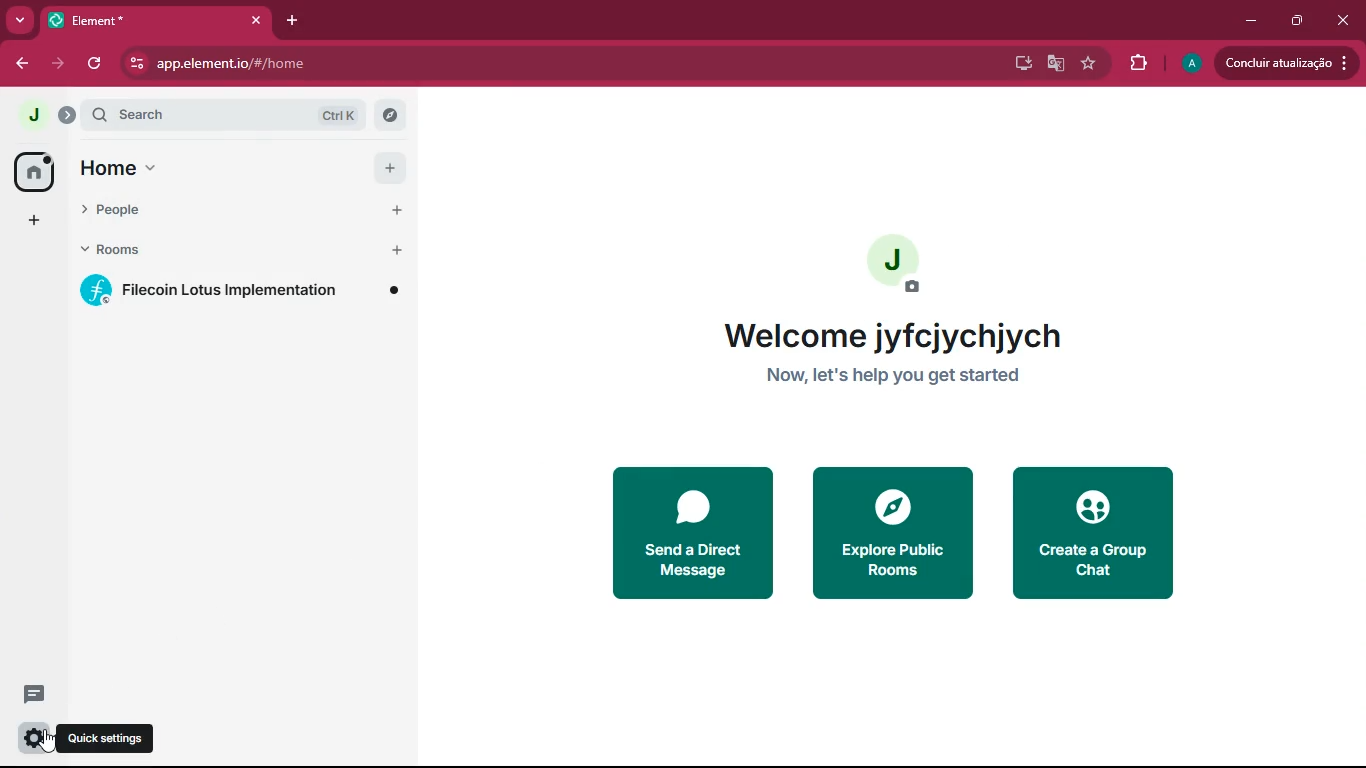 This screenshot has width=1366, height=768. What do you see at coordinates (365, 63) in the screenshot?
I see `app.element.io/#/home` at bounding box center [365, 63].